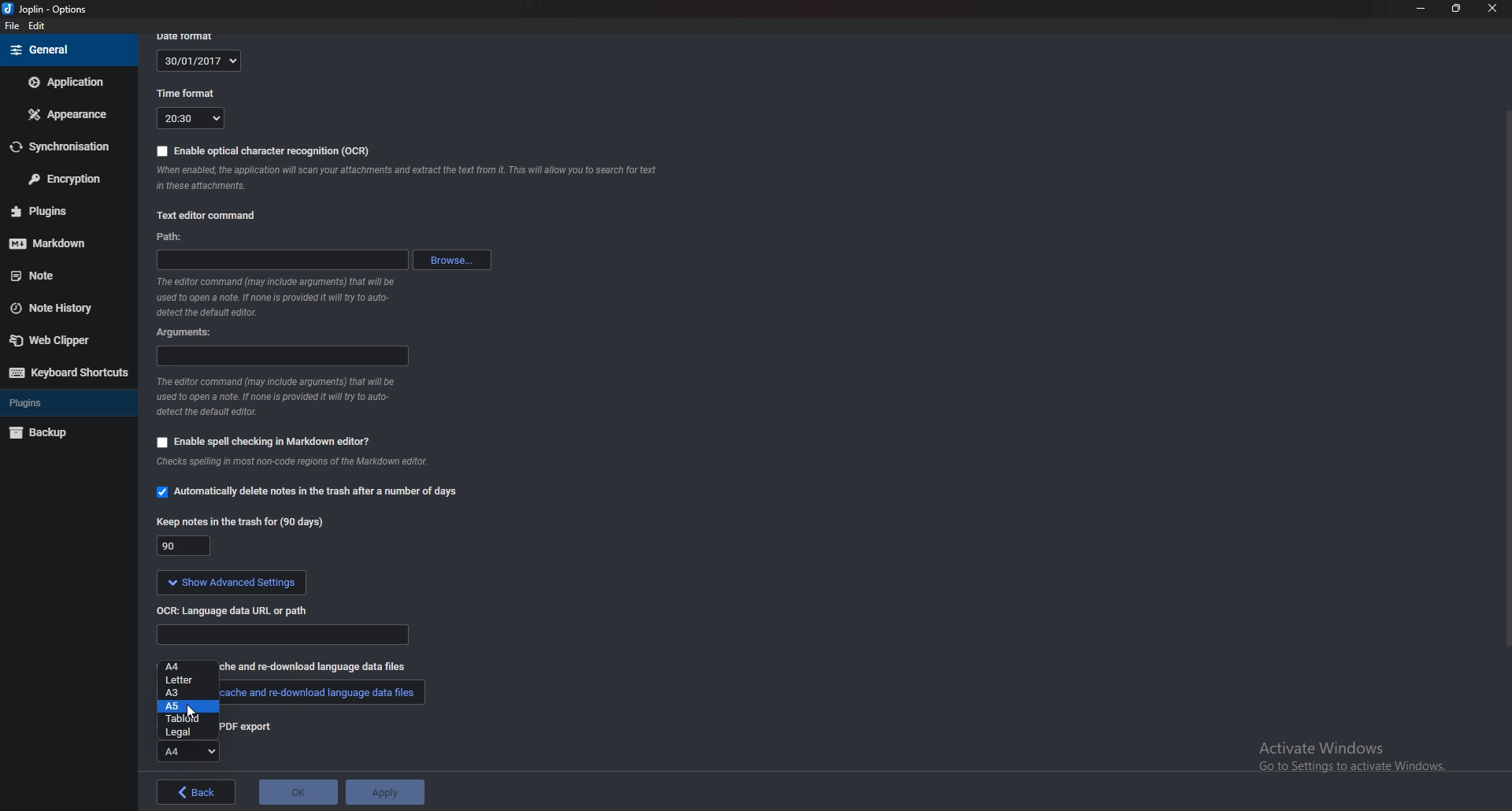  I want to click on Plugins, so click(57, 402).